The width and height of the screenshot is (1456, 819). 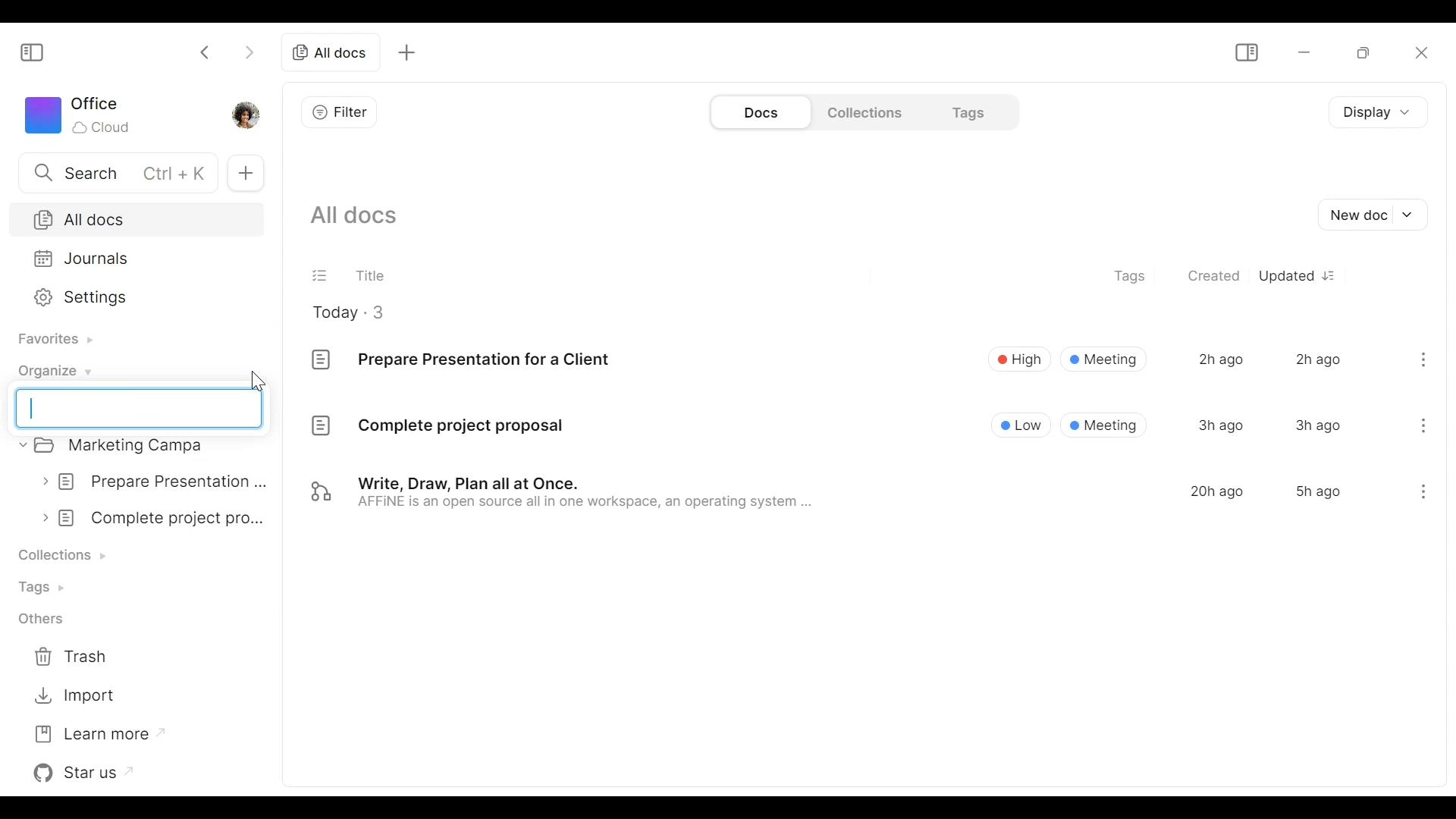 I want to click on Collection, so click(x=70, y=552).